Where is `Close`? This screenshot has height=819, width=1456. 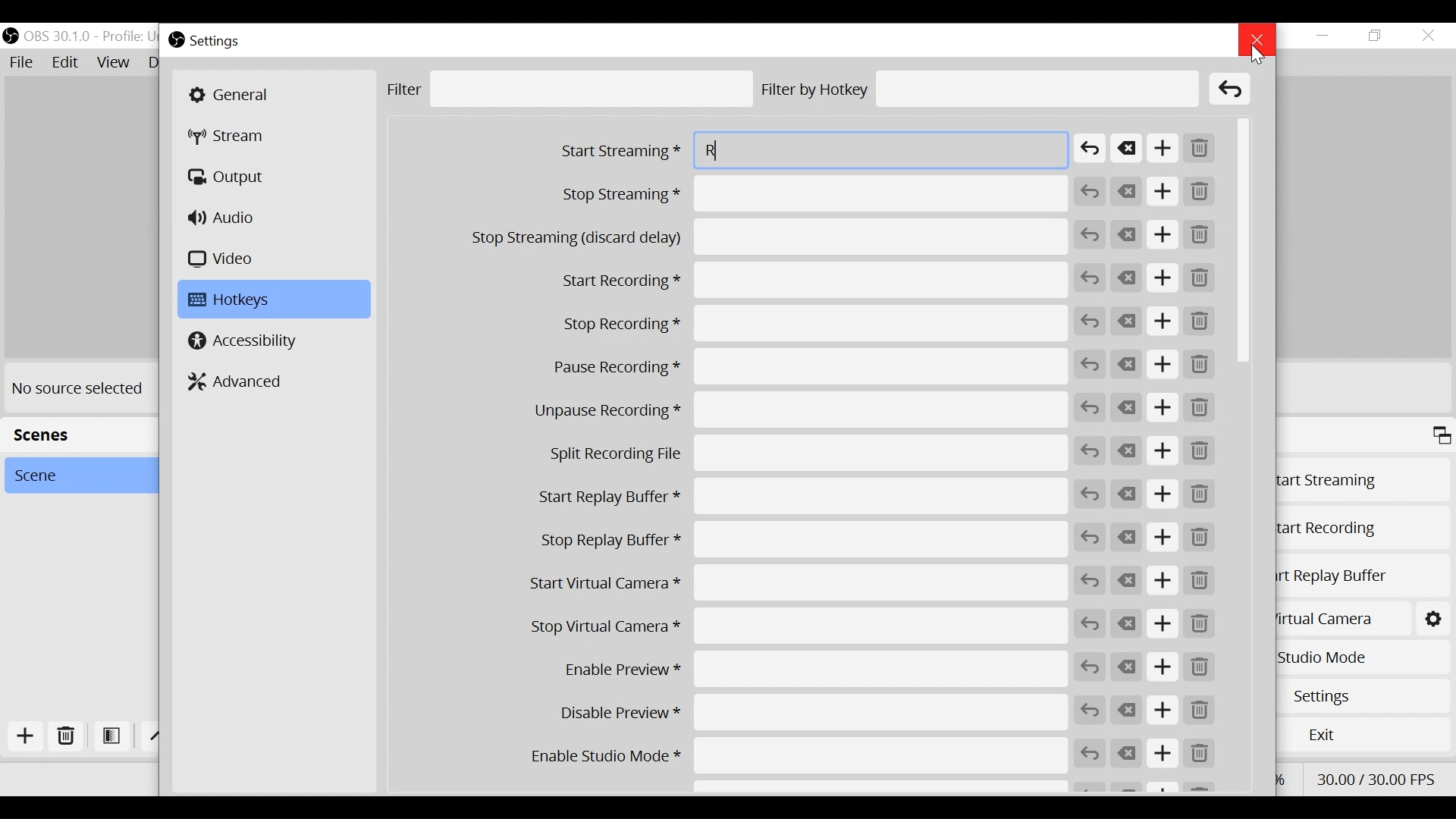 Close is located at coordinates (1258, 40).